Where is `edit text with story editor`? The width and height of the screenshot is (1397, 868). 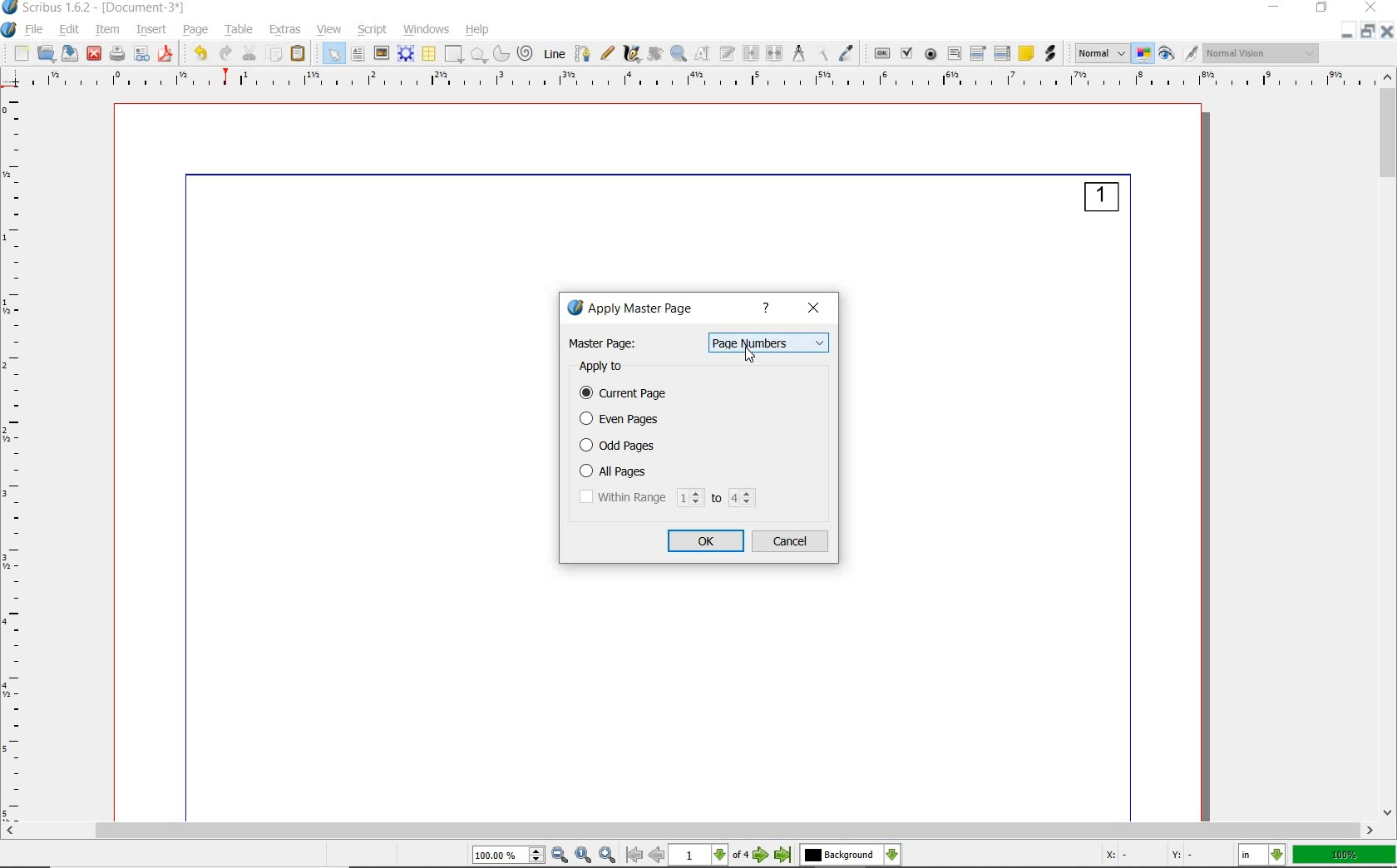 edit text with story editor is located at coordinates (727, 53).